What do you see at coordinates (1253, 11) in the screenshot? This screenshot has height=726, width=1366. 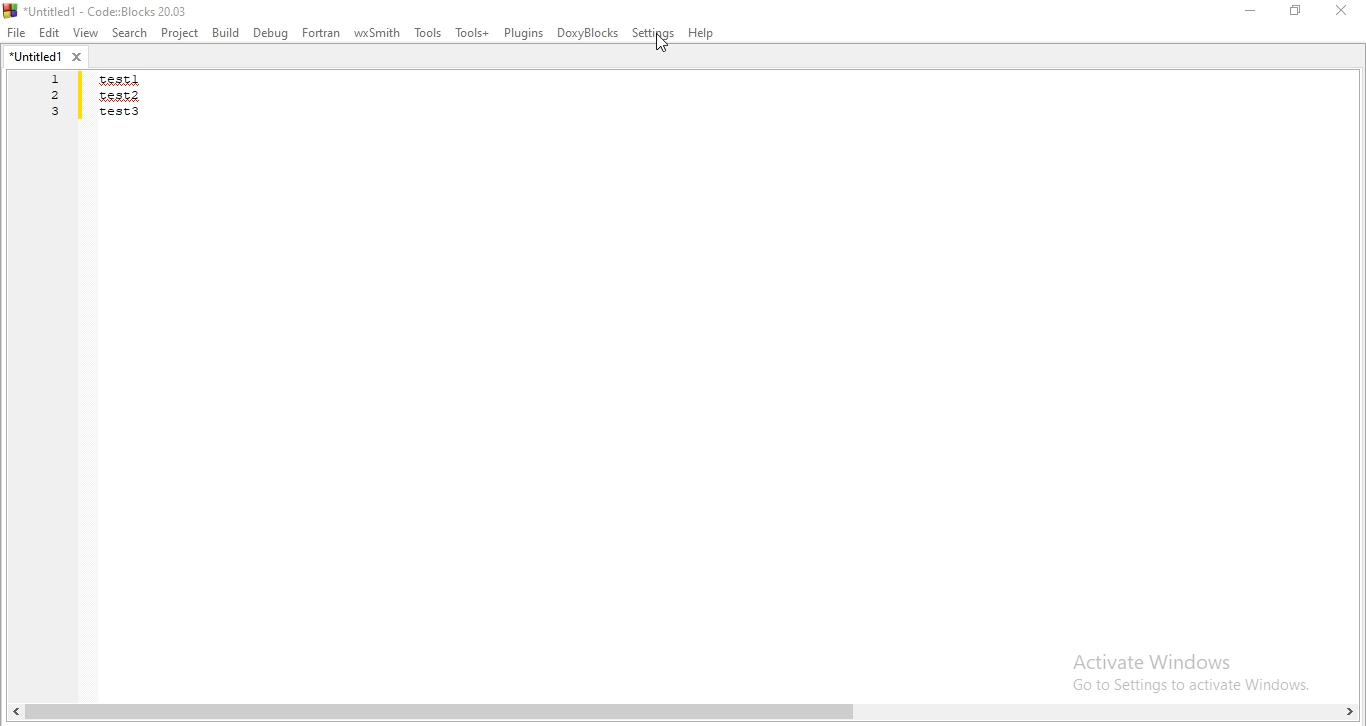 I see `Minimise` at bounding box center [1253, 11].